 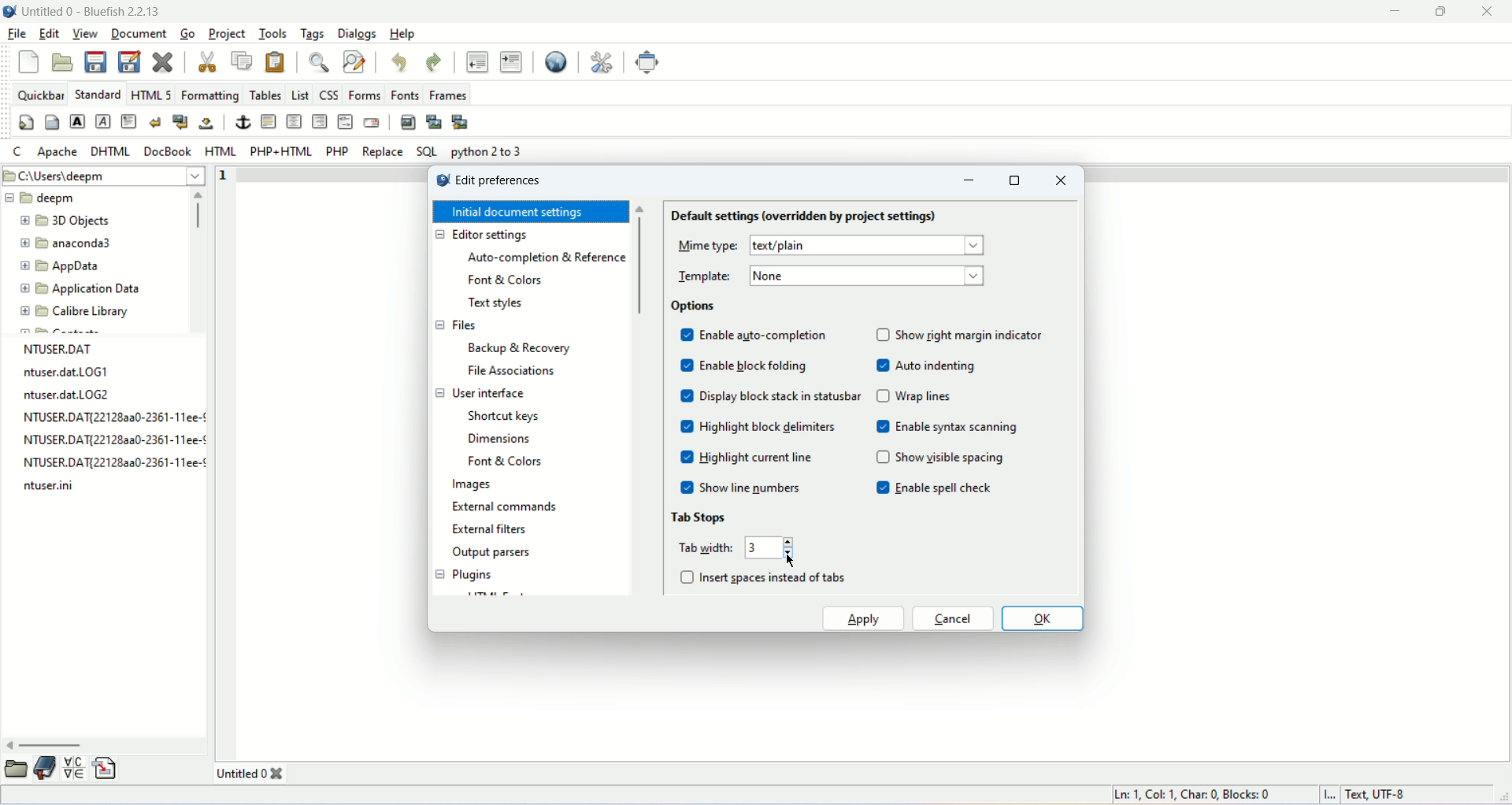 What do you see at coordinates (281, 150) in the screenshot?
I see `PHP+HTML` at bounding box center [281, 150].